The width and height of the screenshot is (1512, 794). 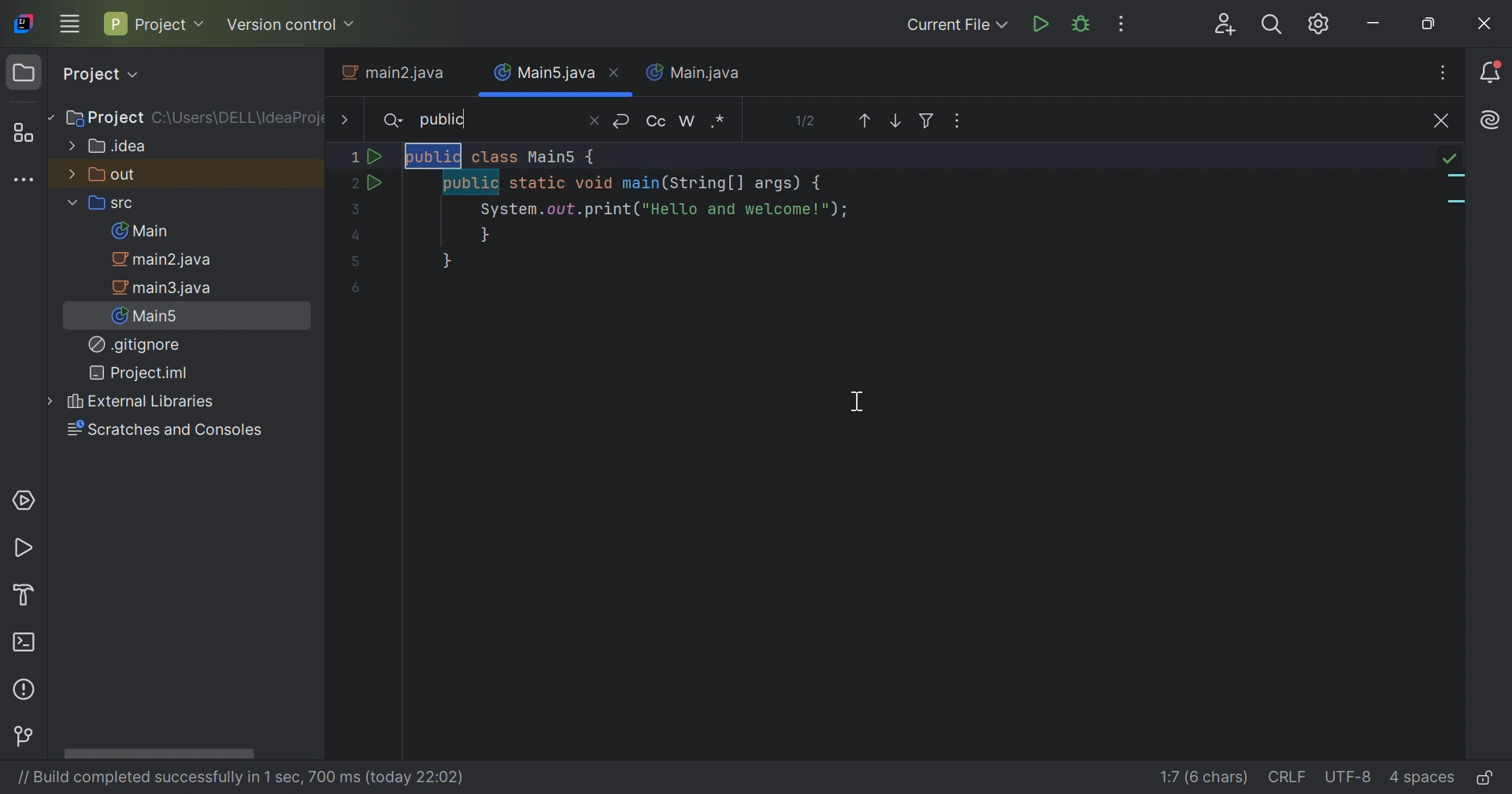 What do you see at coordinates (1449, 117) in the screenshot?
I see `No problems found` at bounding box center [1449, 117].